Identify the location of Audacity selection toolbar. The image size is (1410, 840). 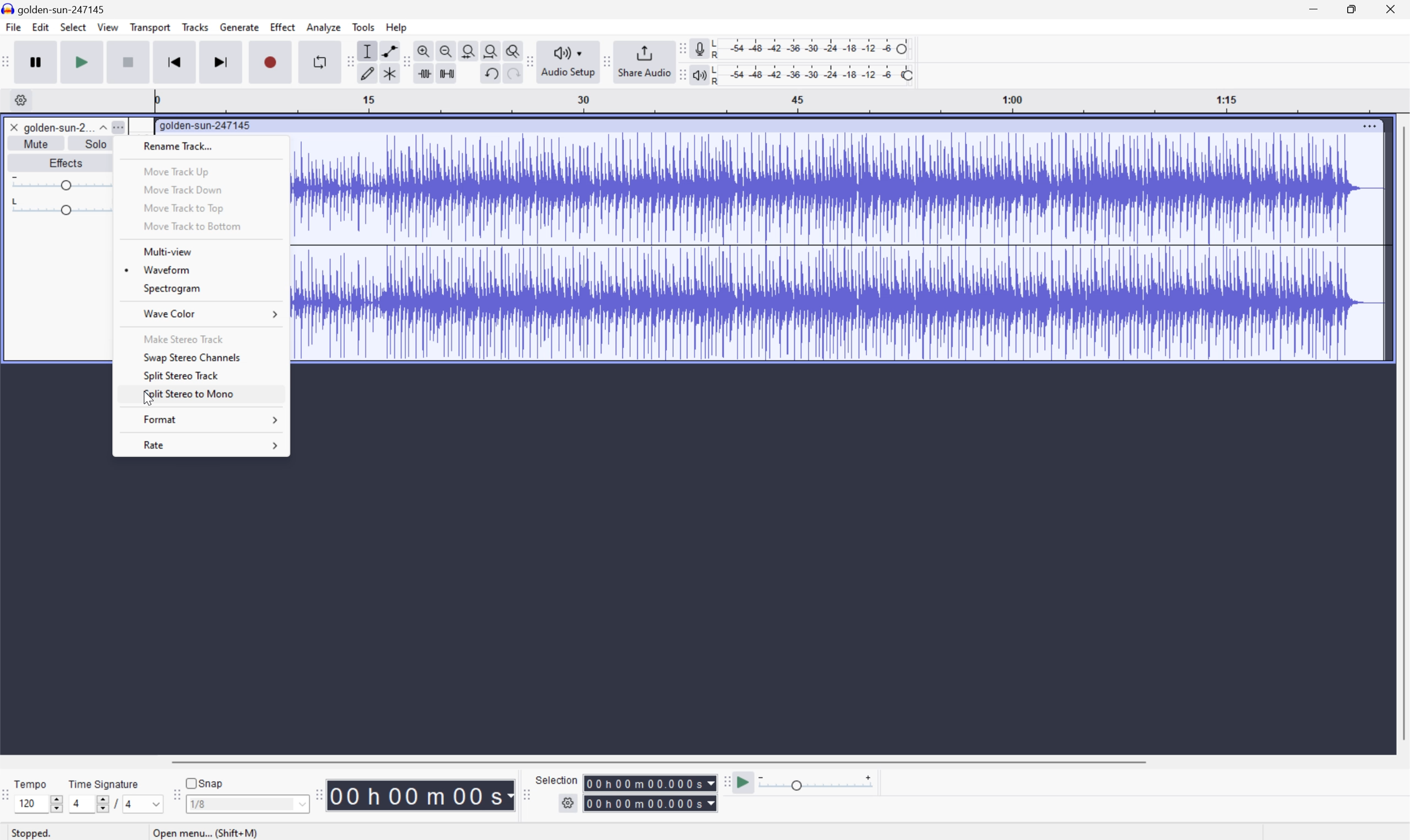
(523, 792).